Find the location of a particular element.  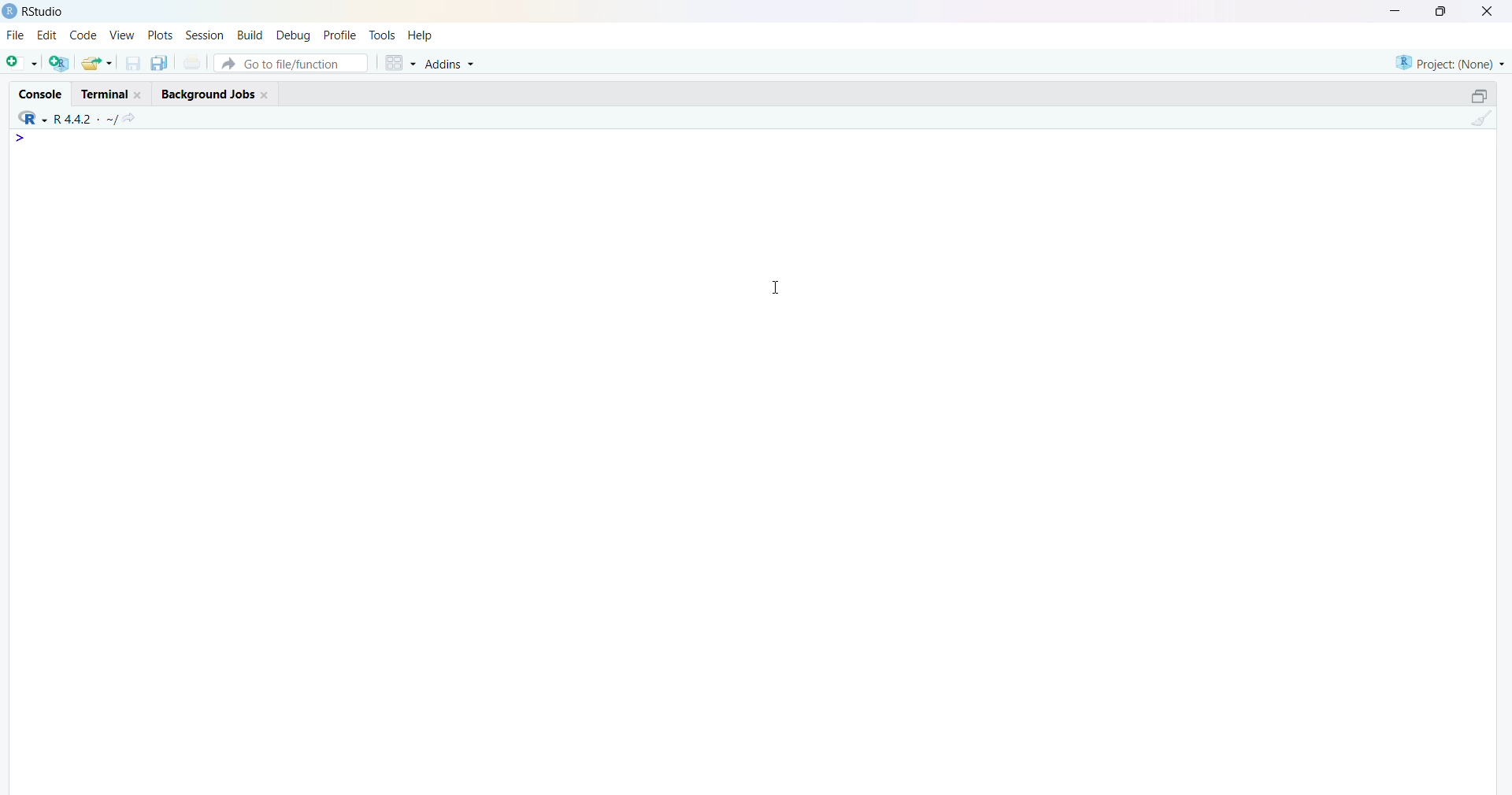

add file is located at coordinates (61, 63).